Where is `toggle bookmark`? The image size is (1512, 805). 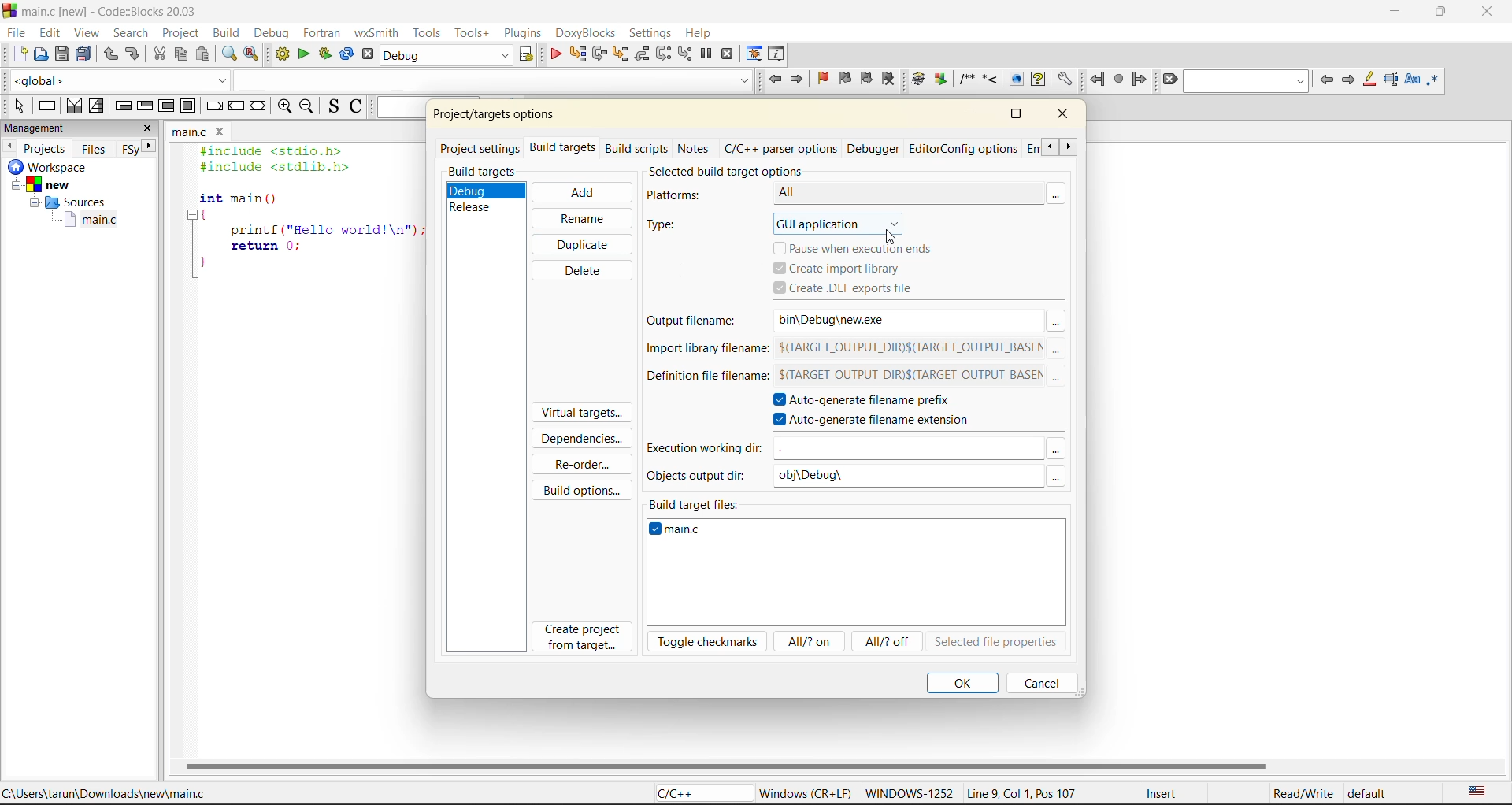 toggle bookmark is located at coordinates (826, 78).